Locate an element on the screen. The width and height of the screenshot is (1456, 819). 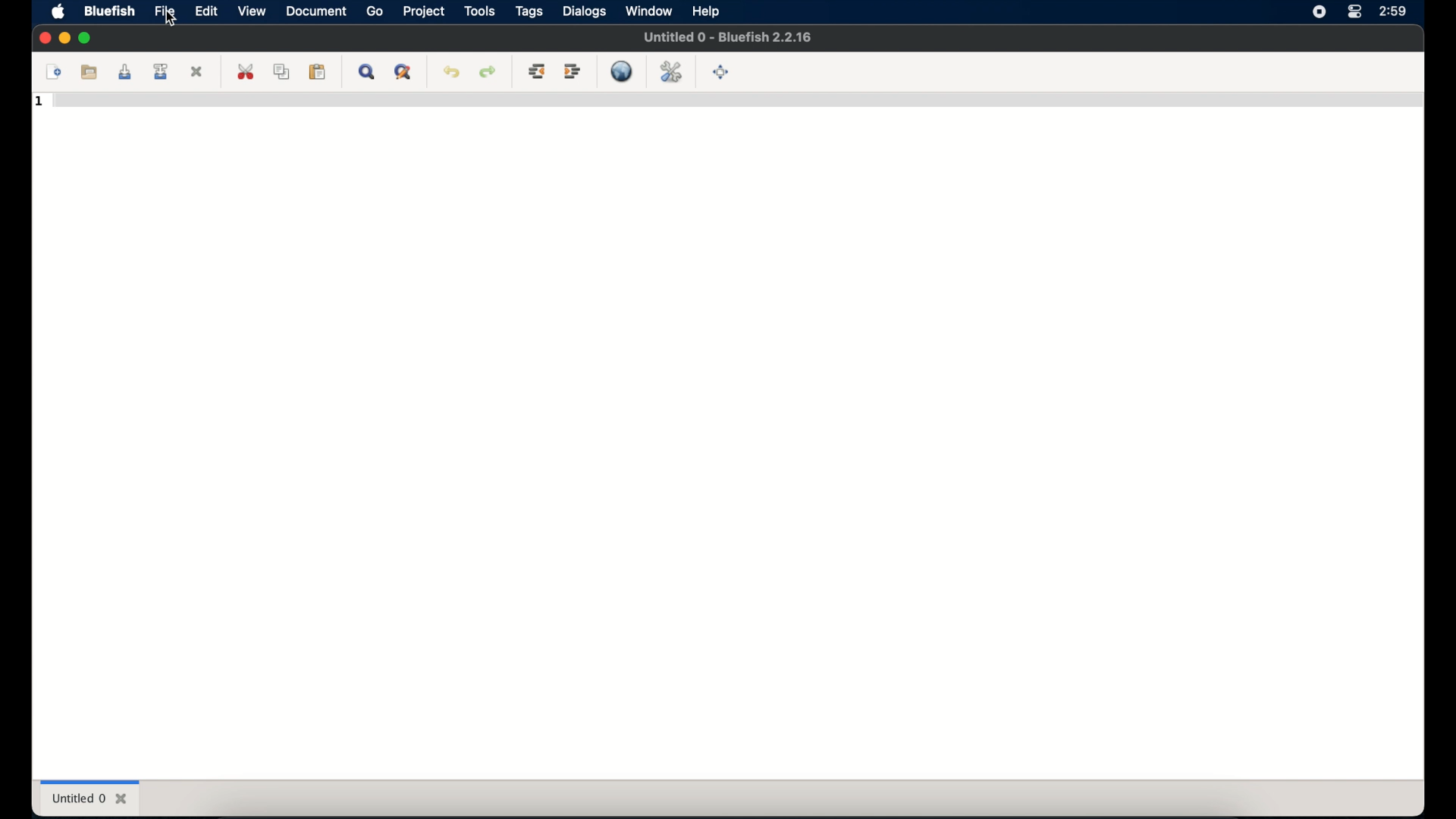
open file is located at coordinates (89, 72).